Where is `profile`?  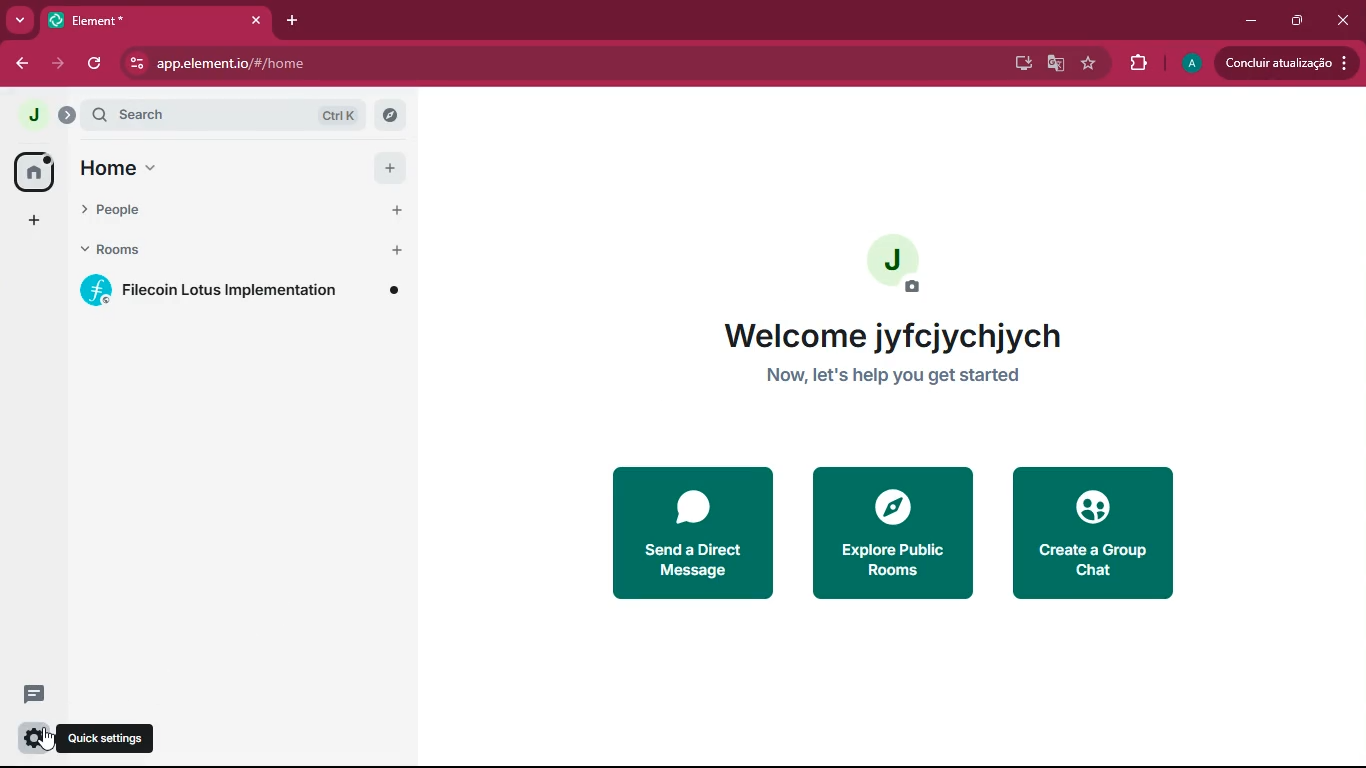
profile is located at coordinates (1187, 63).